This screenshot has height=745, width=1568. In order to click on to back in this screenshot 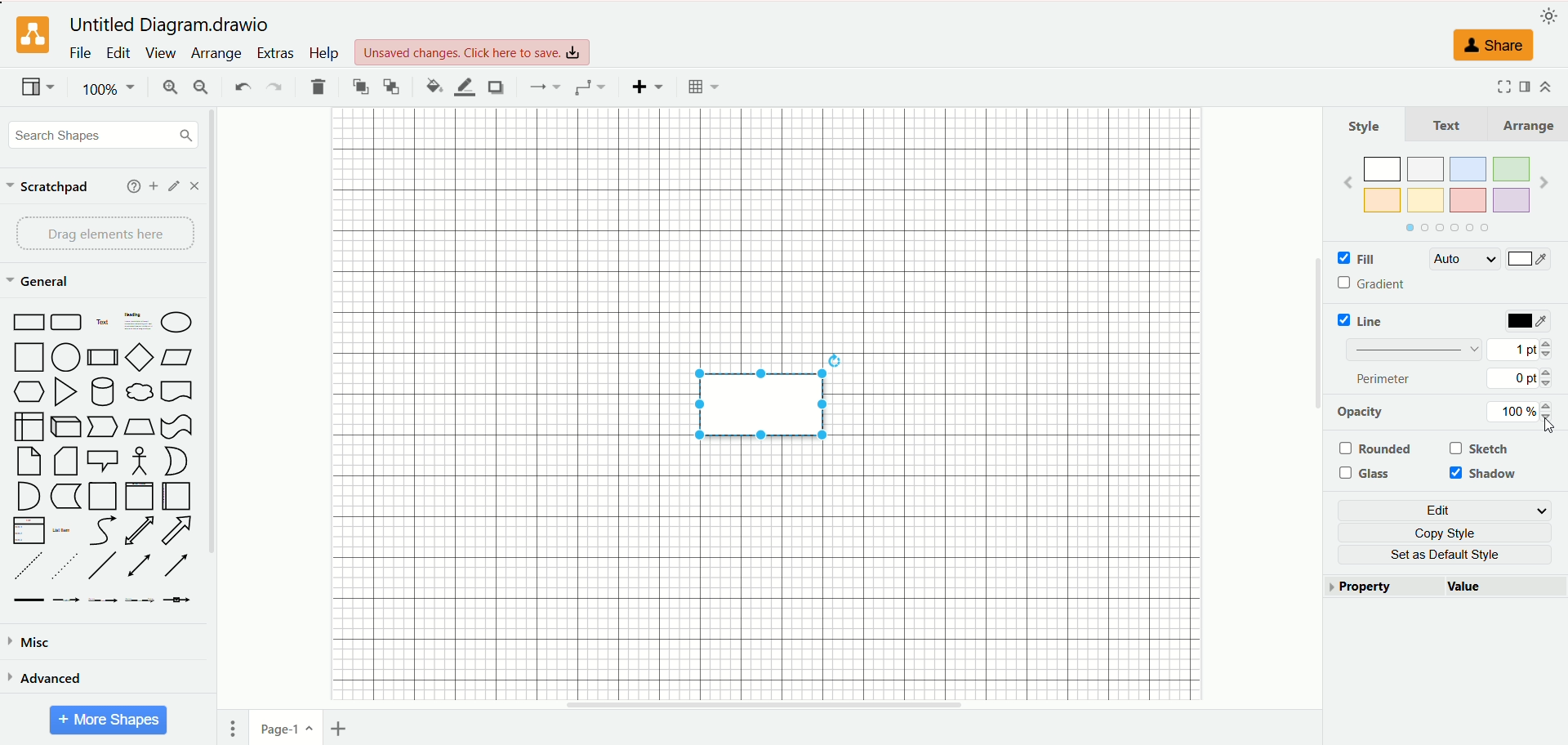, I will do `click(391, 86)`.